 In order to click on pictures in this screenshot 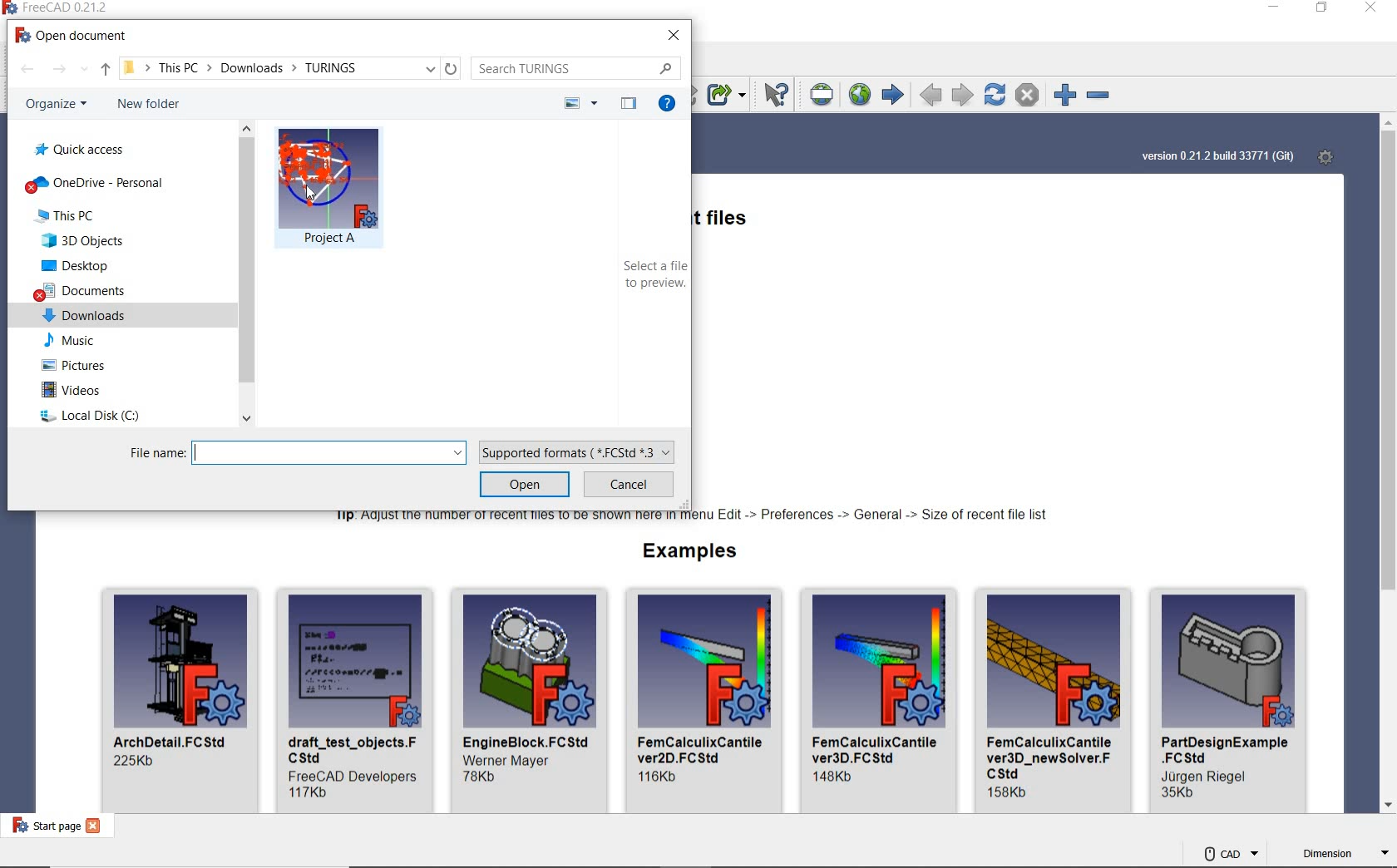, I will do `click(76, 364)`.